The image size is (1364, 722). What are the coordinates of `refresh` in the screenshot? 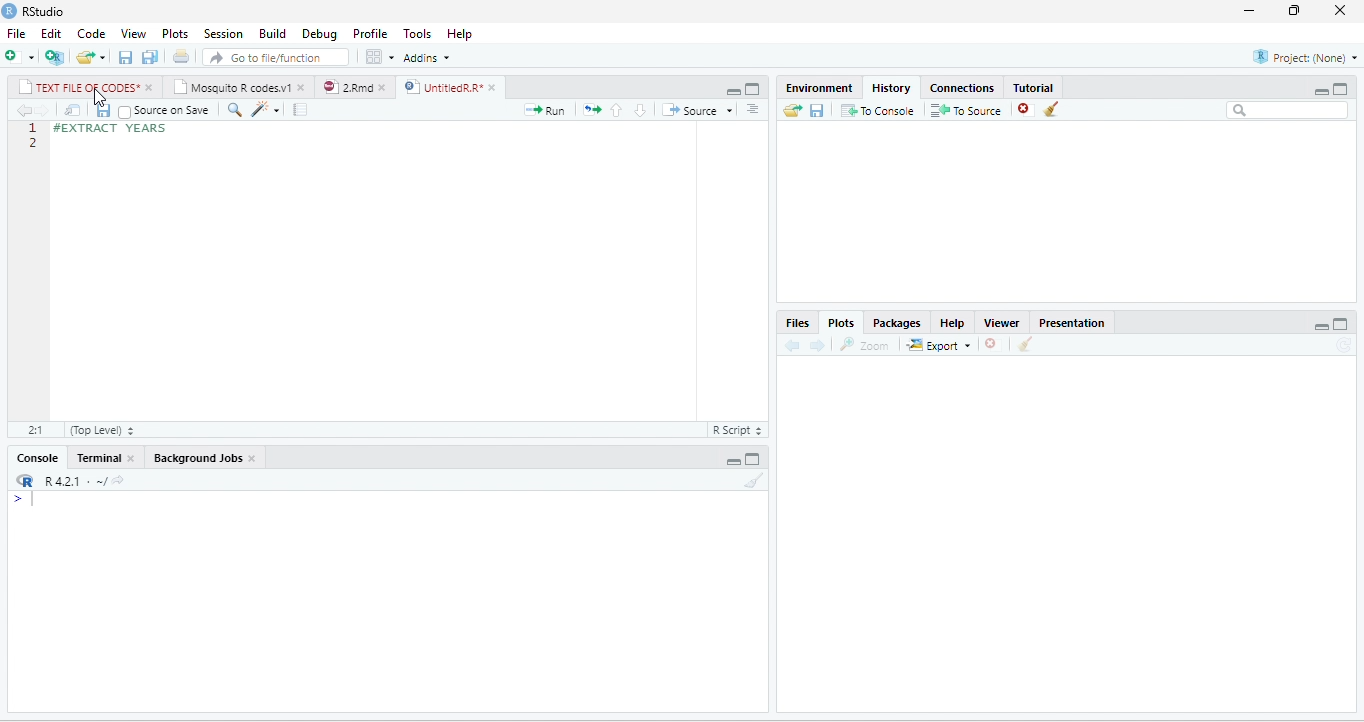 It's located at (1346, 346).